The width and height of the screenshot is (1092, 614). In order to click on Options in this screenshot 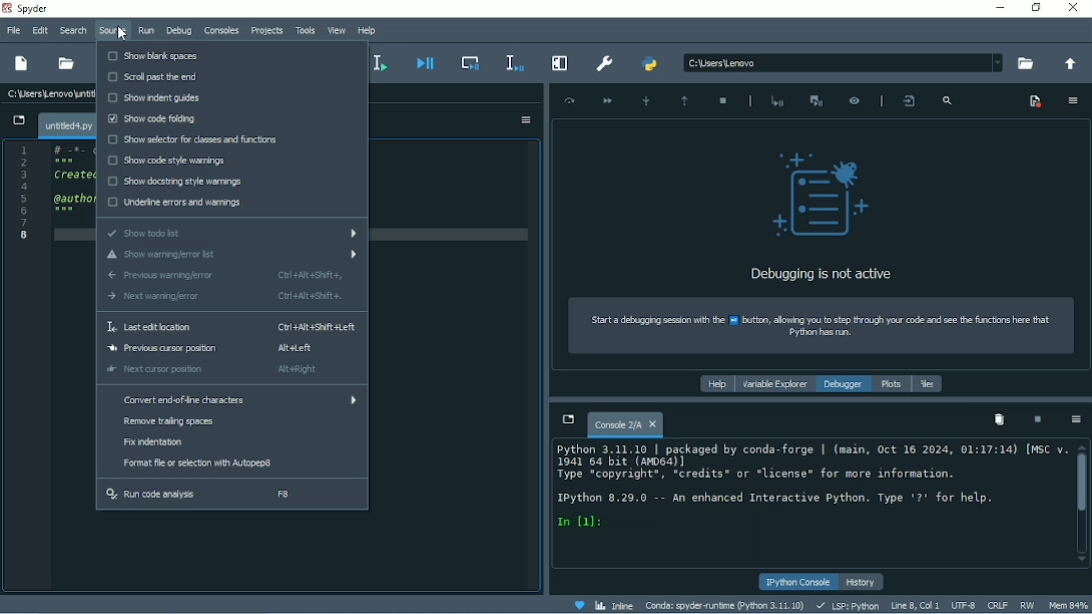, I will do `click(1074, 101)`.